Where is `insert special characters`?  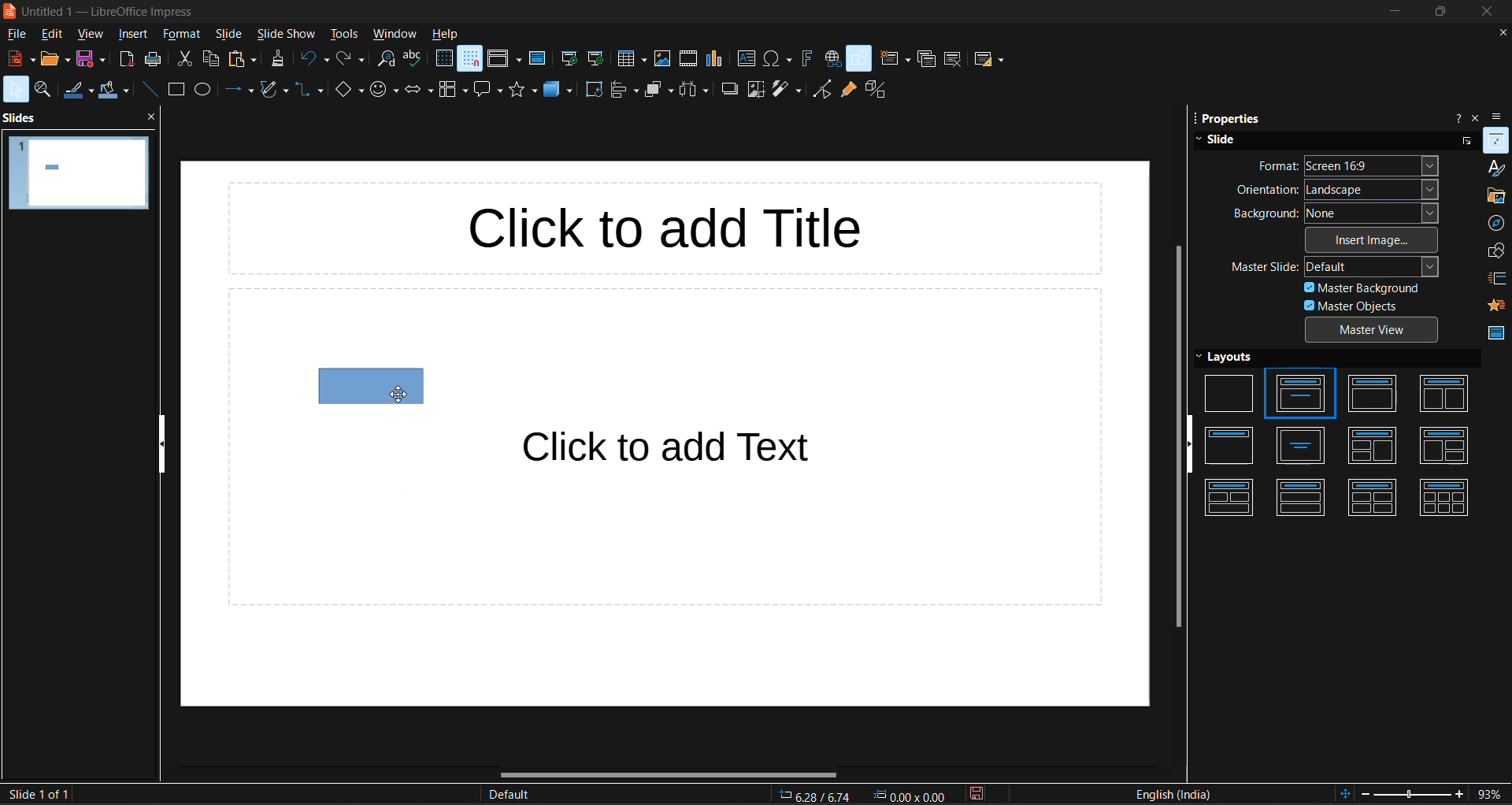
insert special characters is located at coordinates (778, 57).